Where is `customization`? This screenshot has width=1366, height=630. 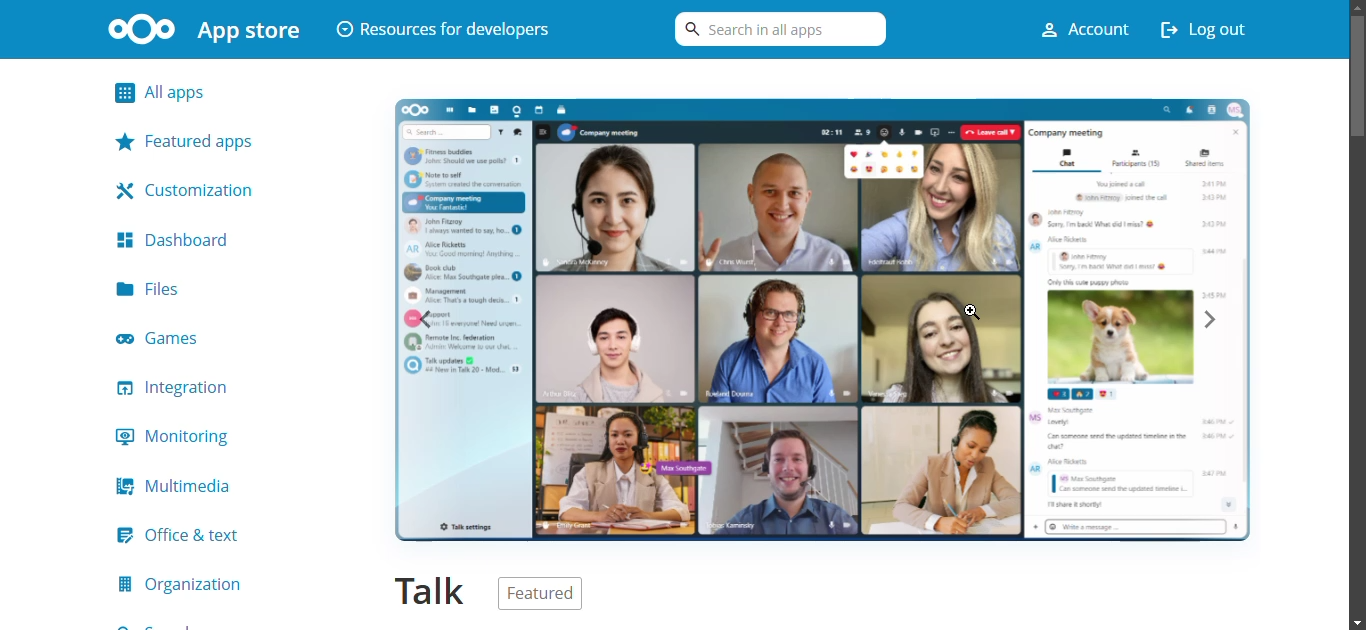
customization is located at coordinates (192, 188).